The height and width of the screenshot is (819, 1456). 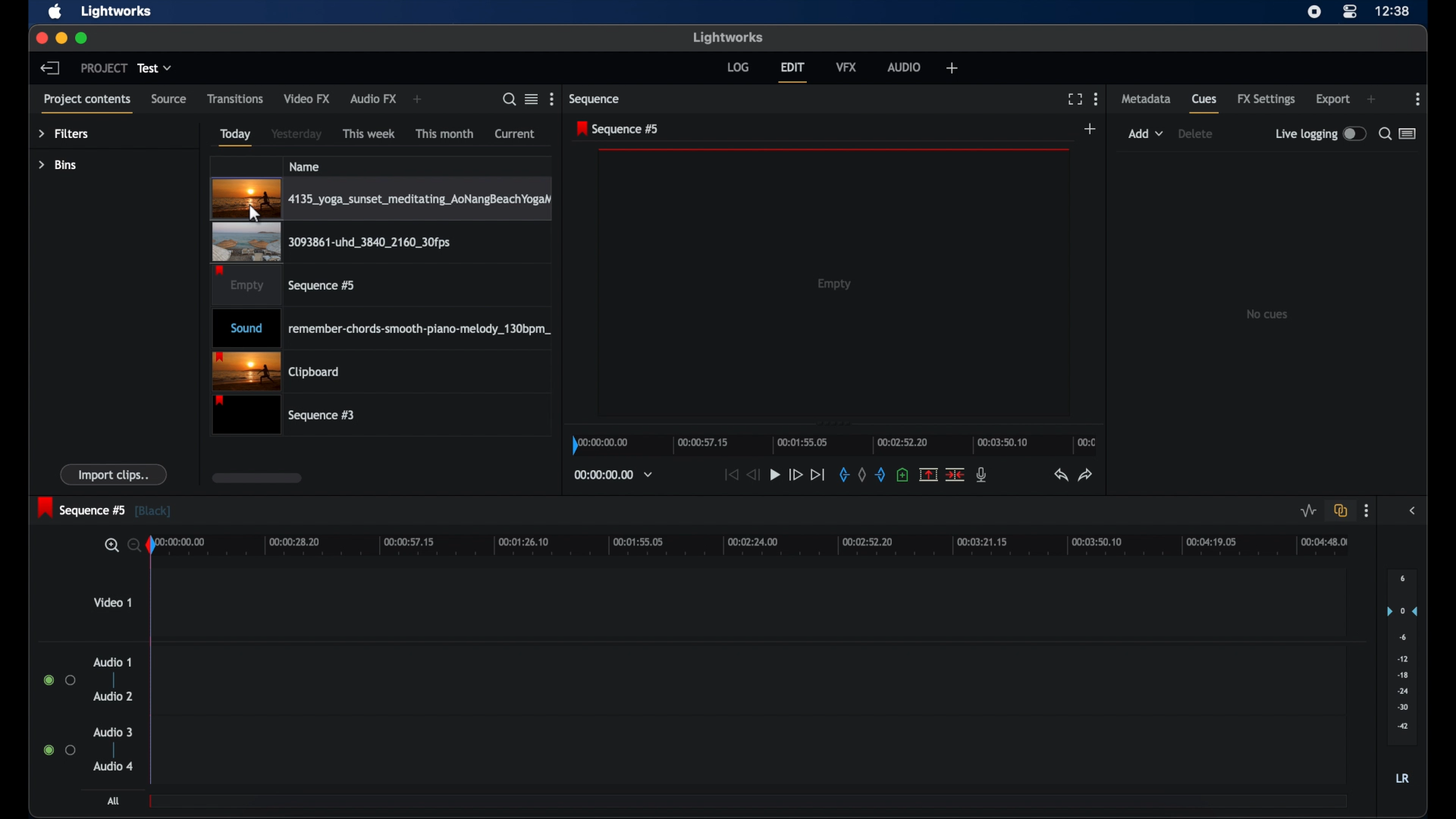 I want to click on toggle between listened tile view, so click(x=532, y=99).